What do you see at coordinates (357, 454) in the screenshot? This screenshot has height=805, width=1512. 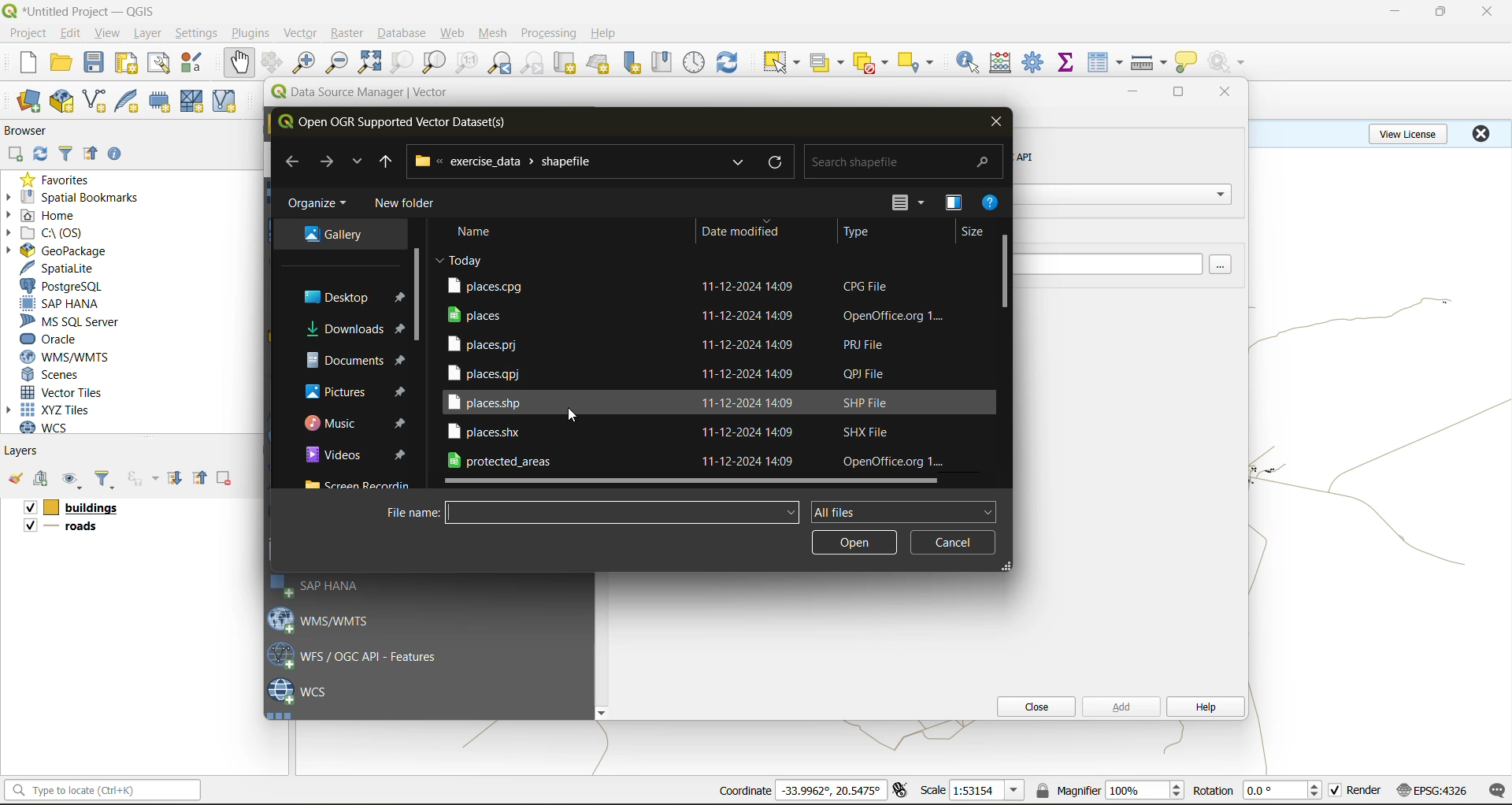 I see `folder explorer` at bounding box center [357, 454].